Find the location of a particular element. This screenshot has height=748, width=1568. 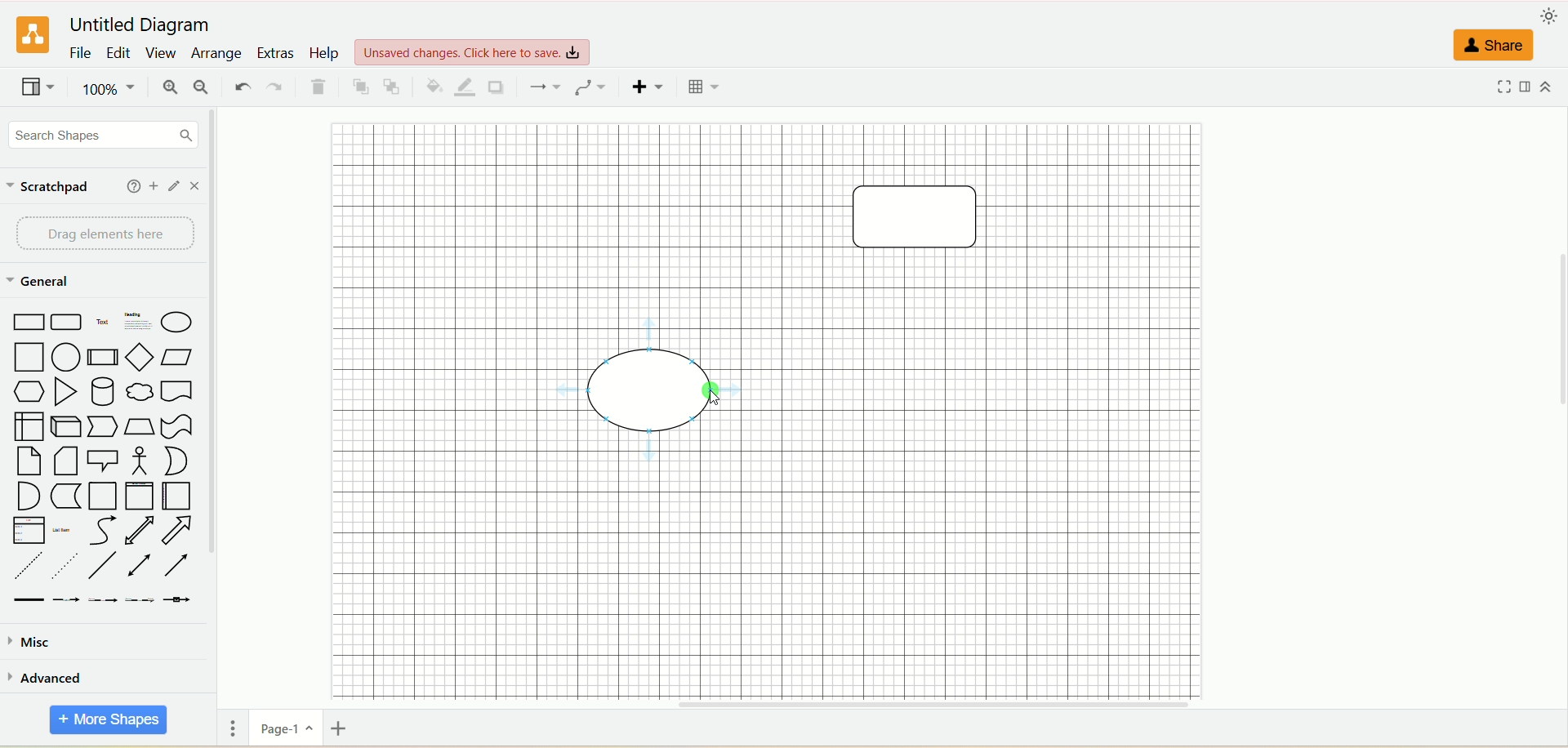

search shapes is located at coordinates (99, 136).